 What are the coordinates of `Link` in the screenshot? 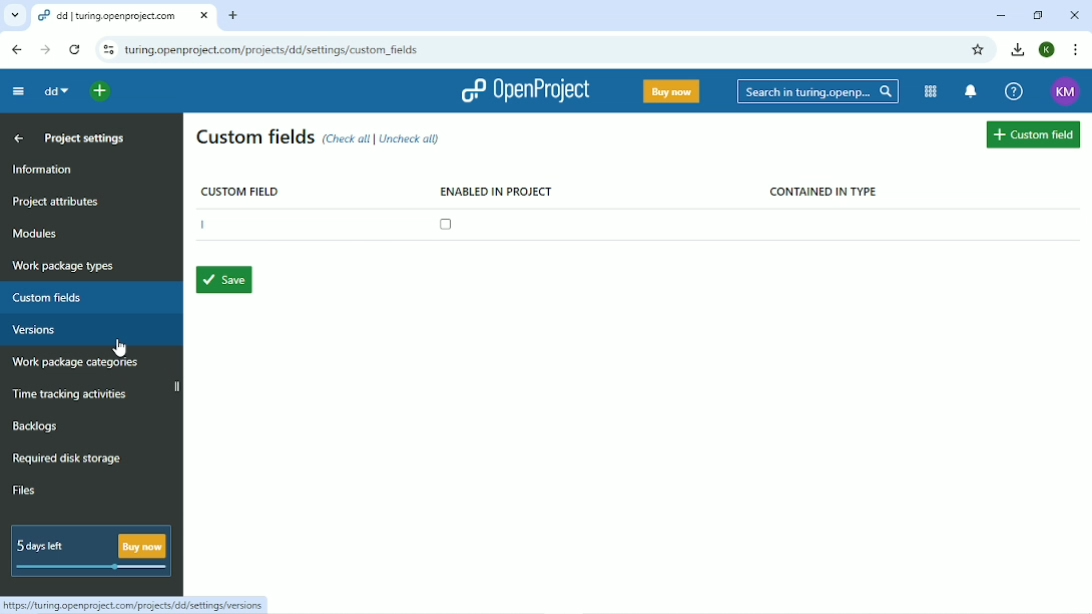 It's located at (137, 603).